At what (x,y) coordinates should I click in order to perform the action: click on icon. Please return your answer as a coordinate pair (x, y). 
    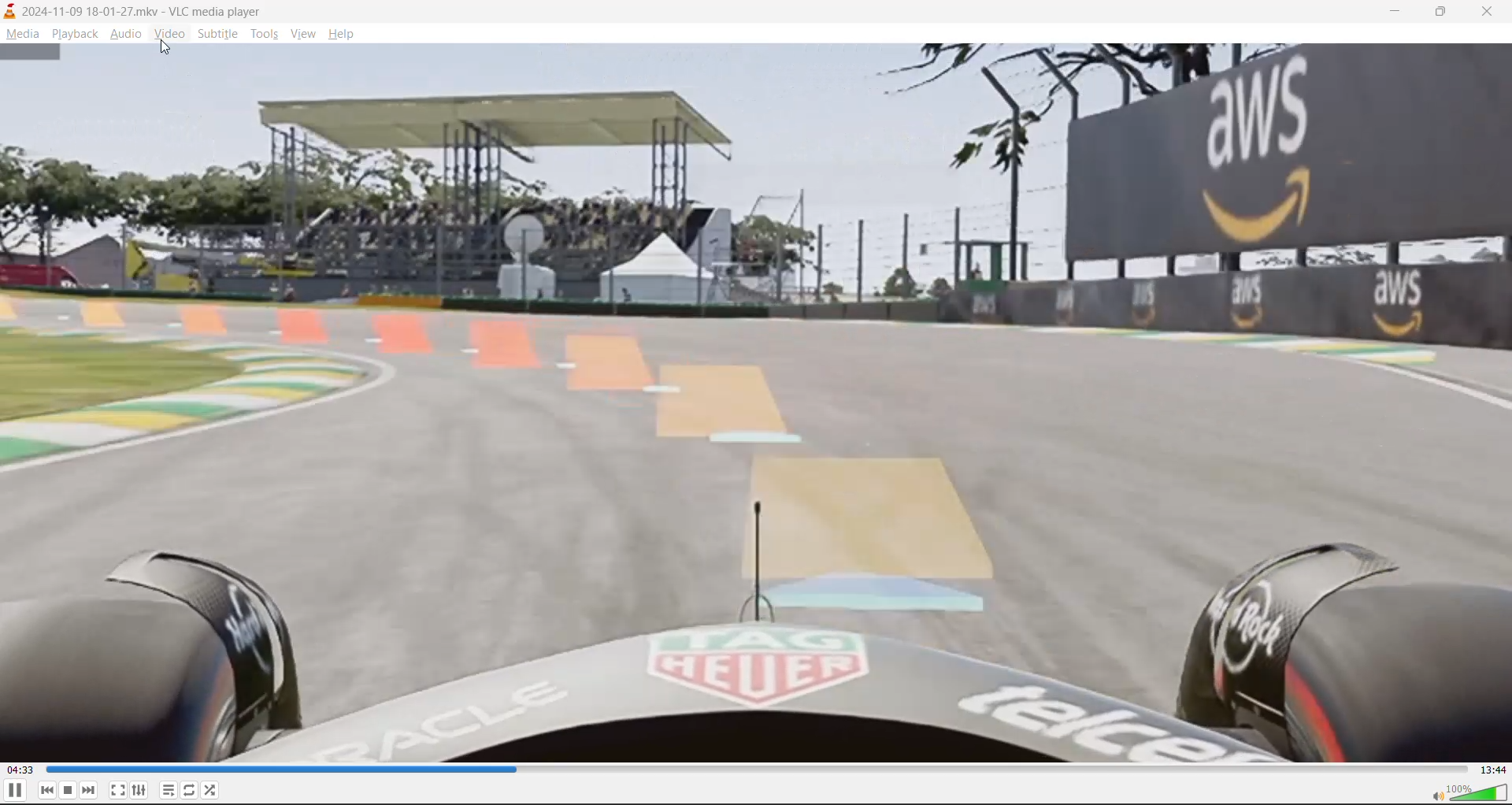
    Looking at the image, I should click on (10, 10).